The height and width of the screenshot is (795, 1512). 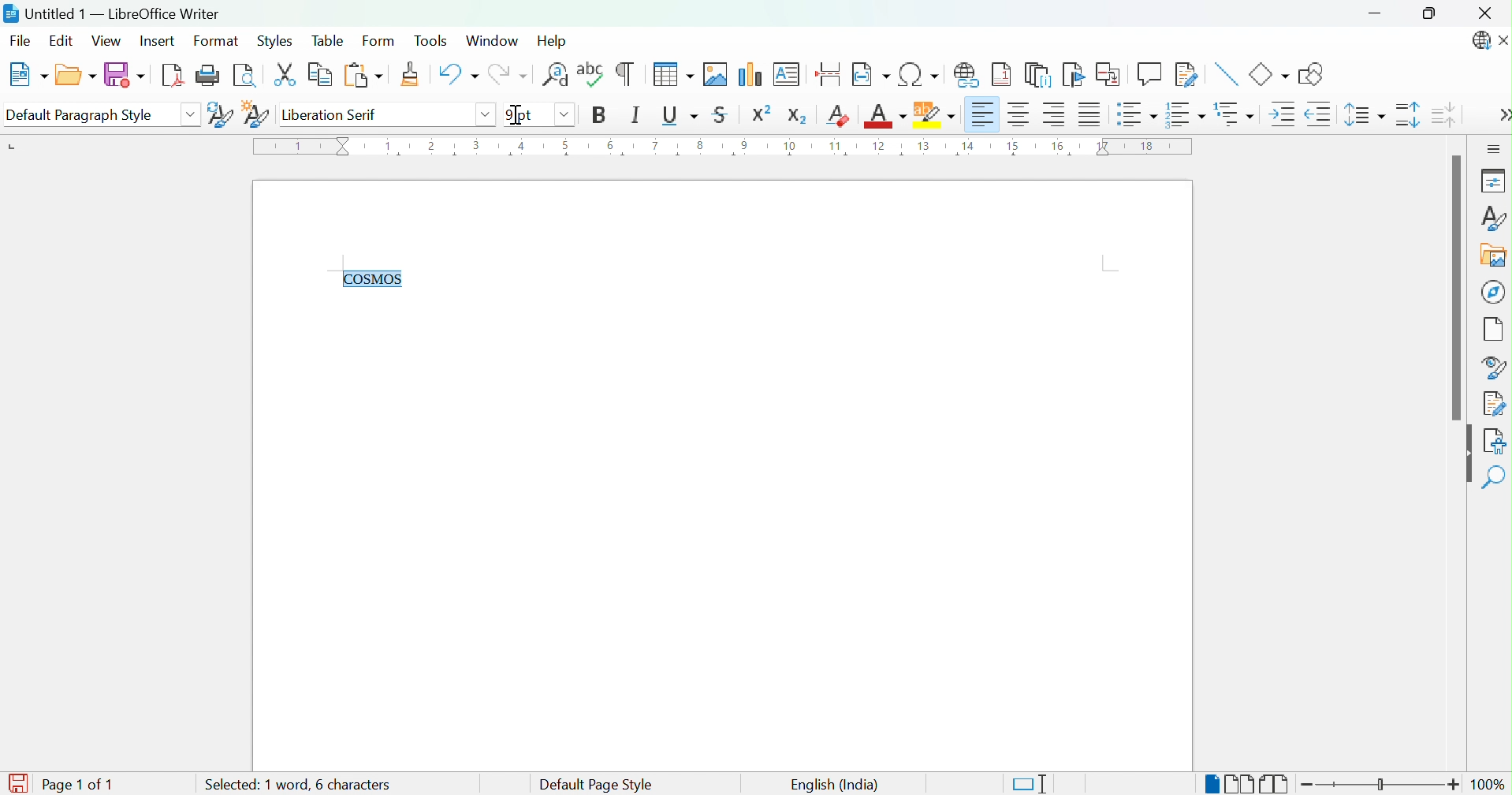 I want to click on Align Center, so click(x=1020, y=114).